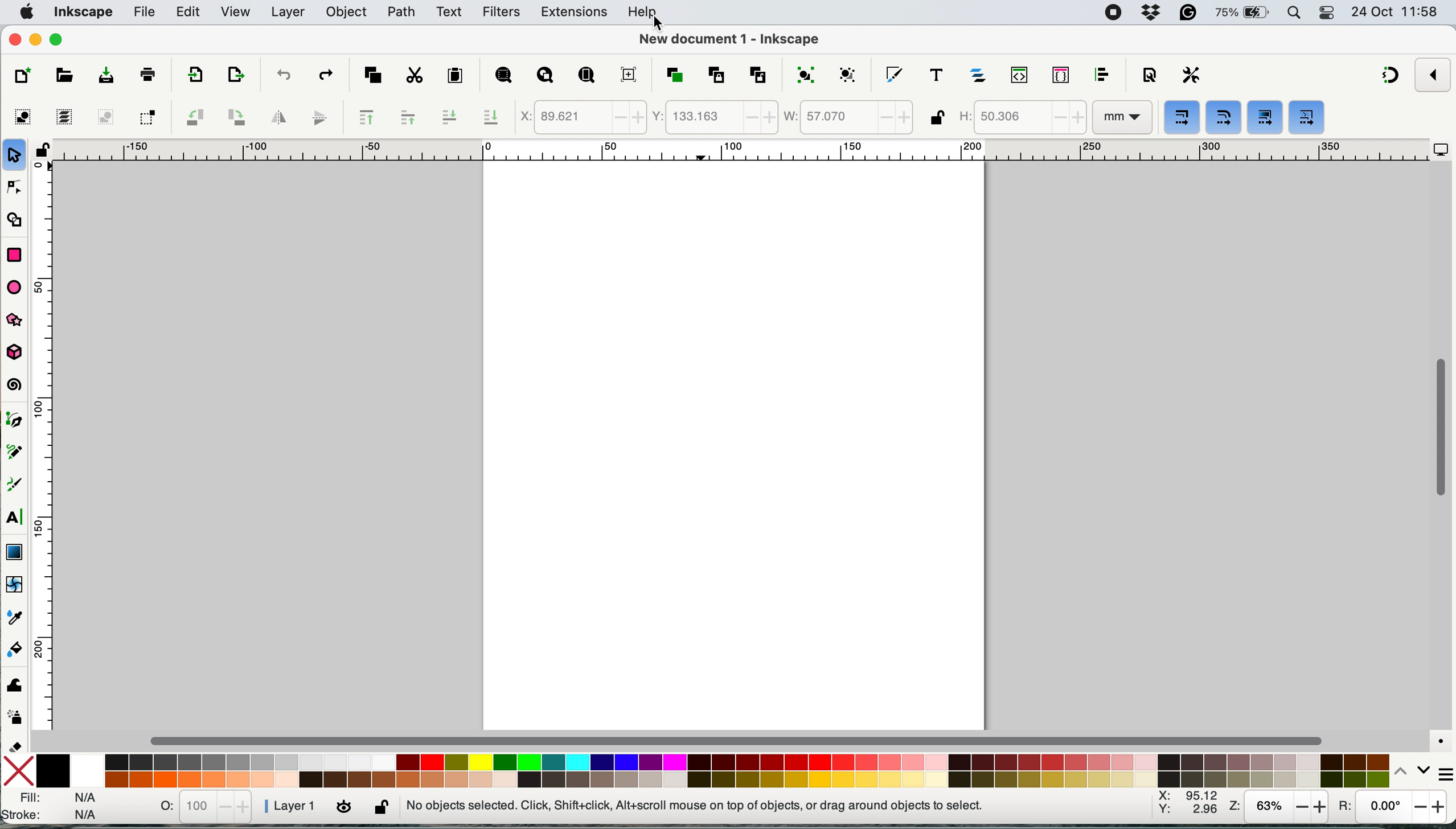 Image resolution: width=1456 pixels, height=829 pixels. What do you see at coordinates (1442, 772) in the screenshot?
I see `more options` at bounding box center [1442, 772].